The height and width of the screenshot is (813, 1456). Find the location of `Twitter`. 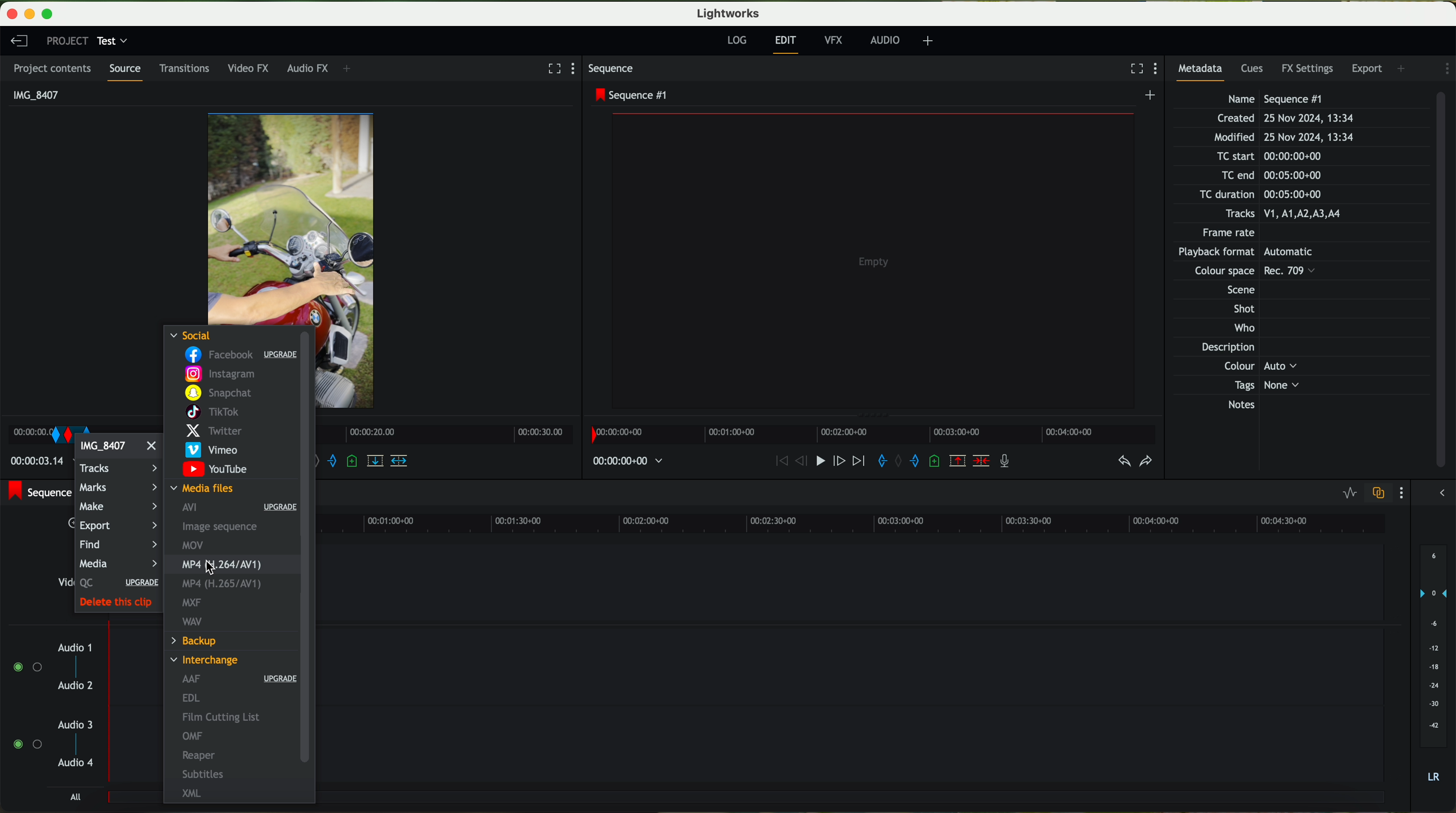

Twitter is located at coordinates (213, 433).